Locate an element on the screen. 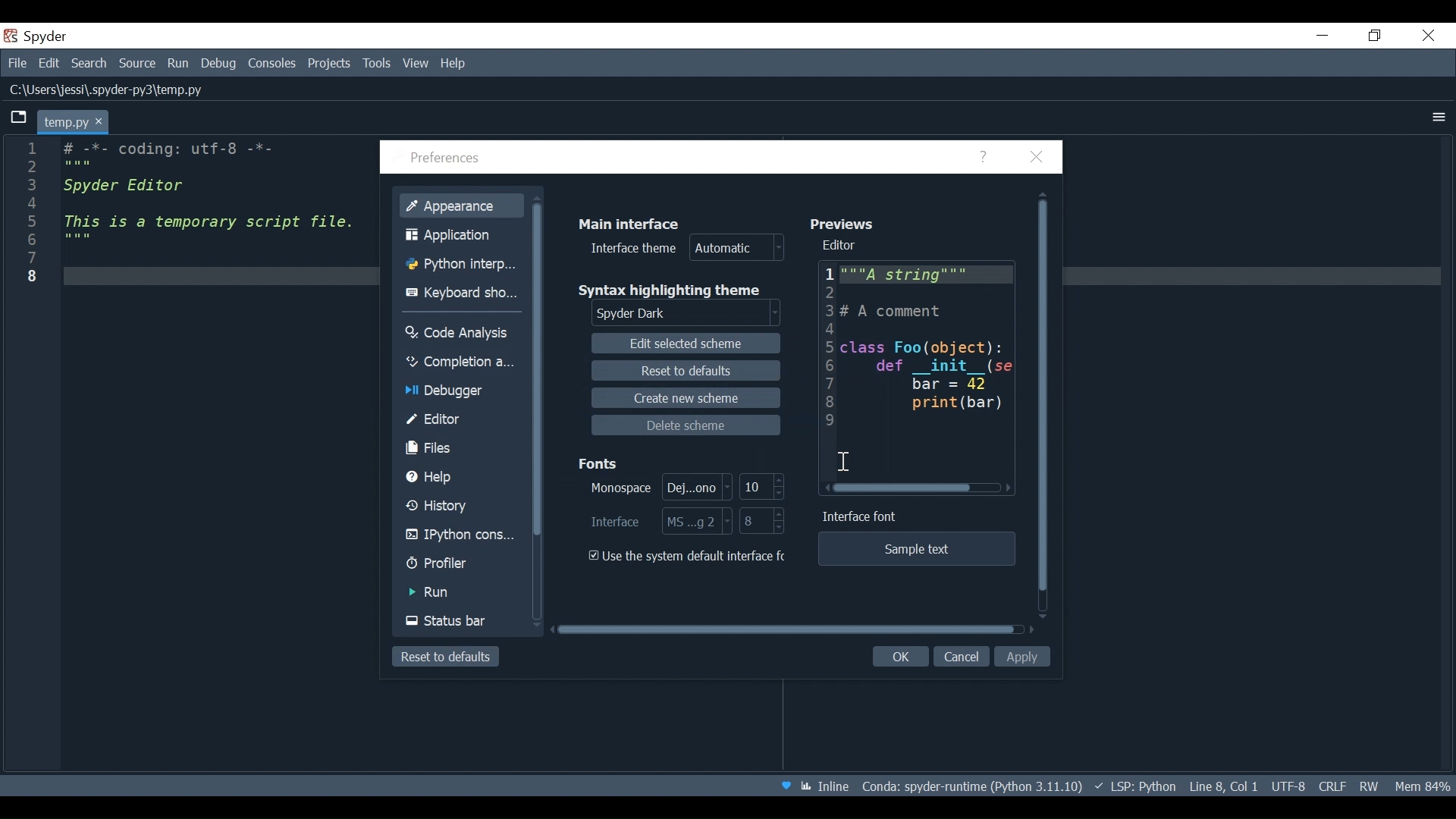  File Permission is located at coordinates (1369, 784).